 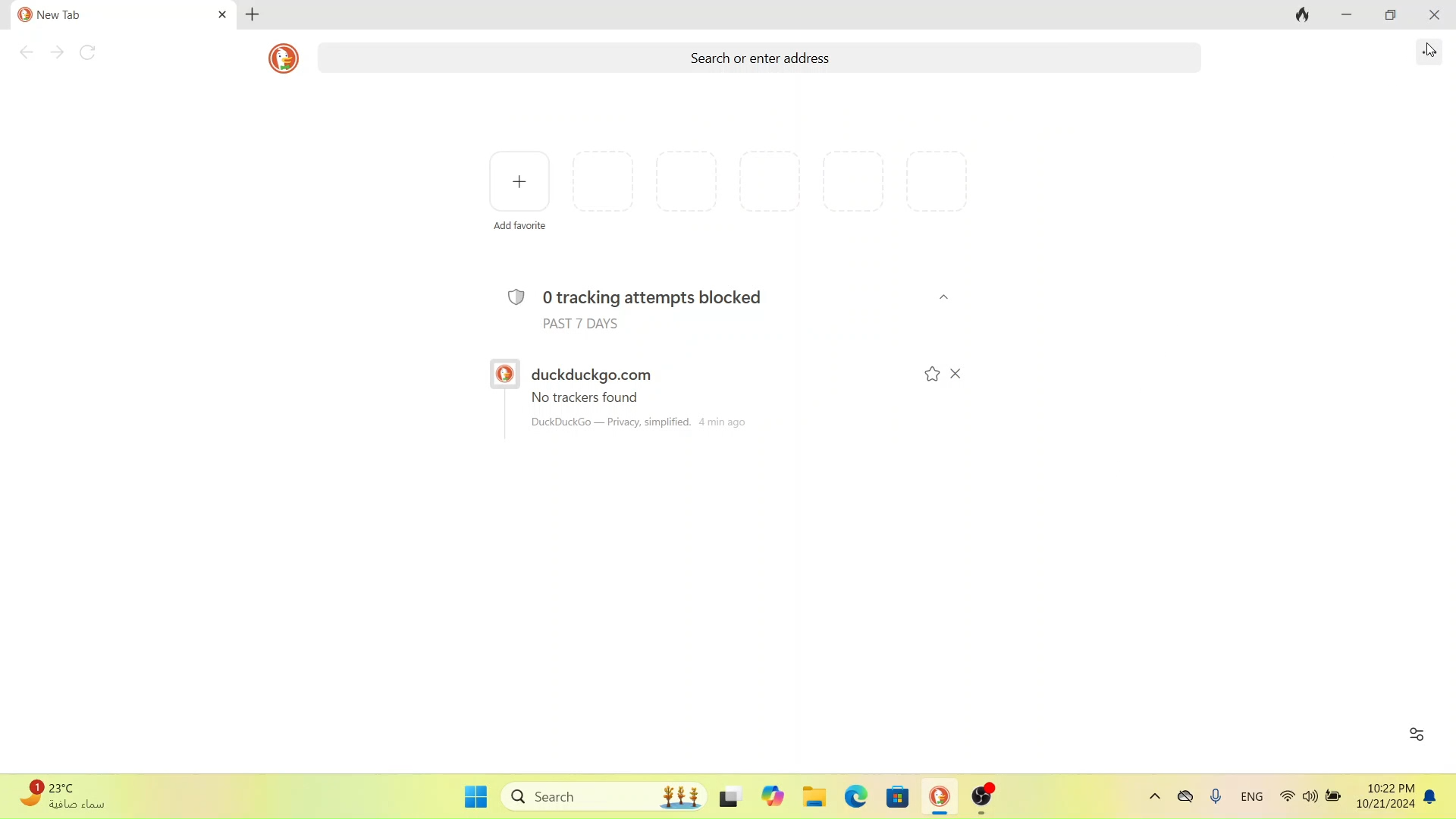 What do you see at coordinates (93, 15) in the screenshot?
I see `current tab` at bounding box center [93, 15].